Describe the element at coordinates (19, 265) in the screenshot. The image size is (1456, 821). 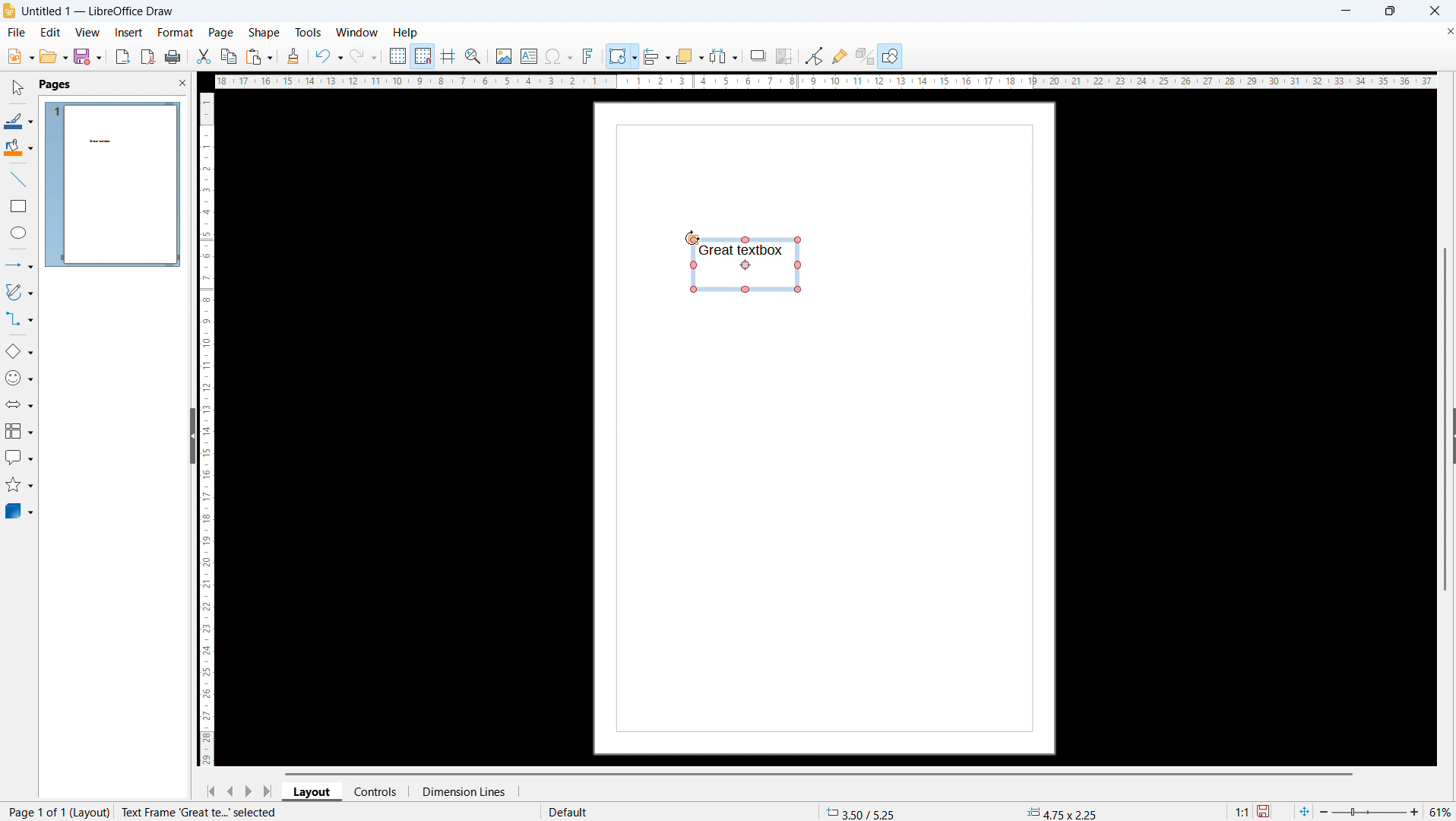
I see `lines and arrows` at that location.